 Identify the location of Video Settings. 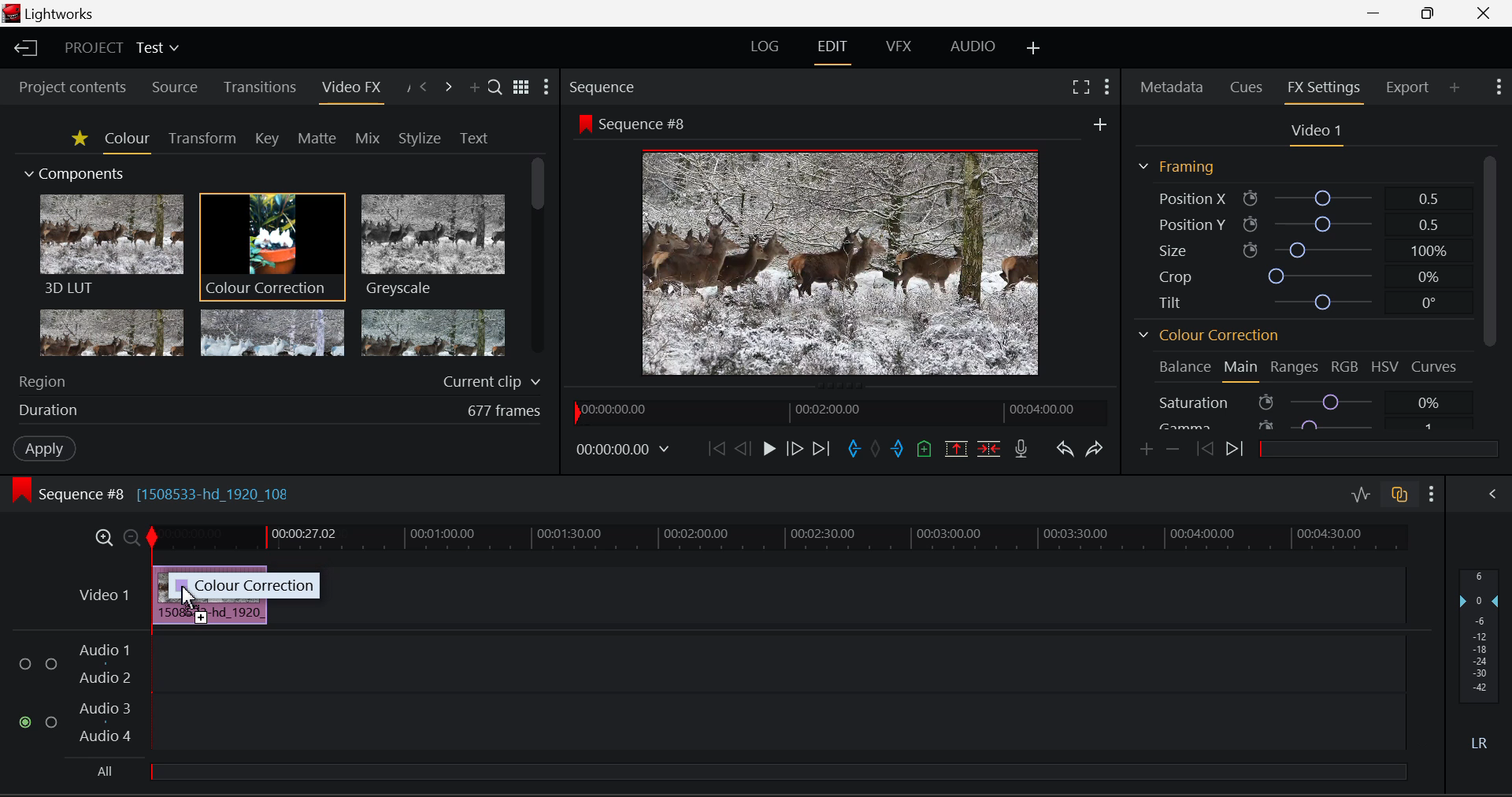
(1314, 132).